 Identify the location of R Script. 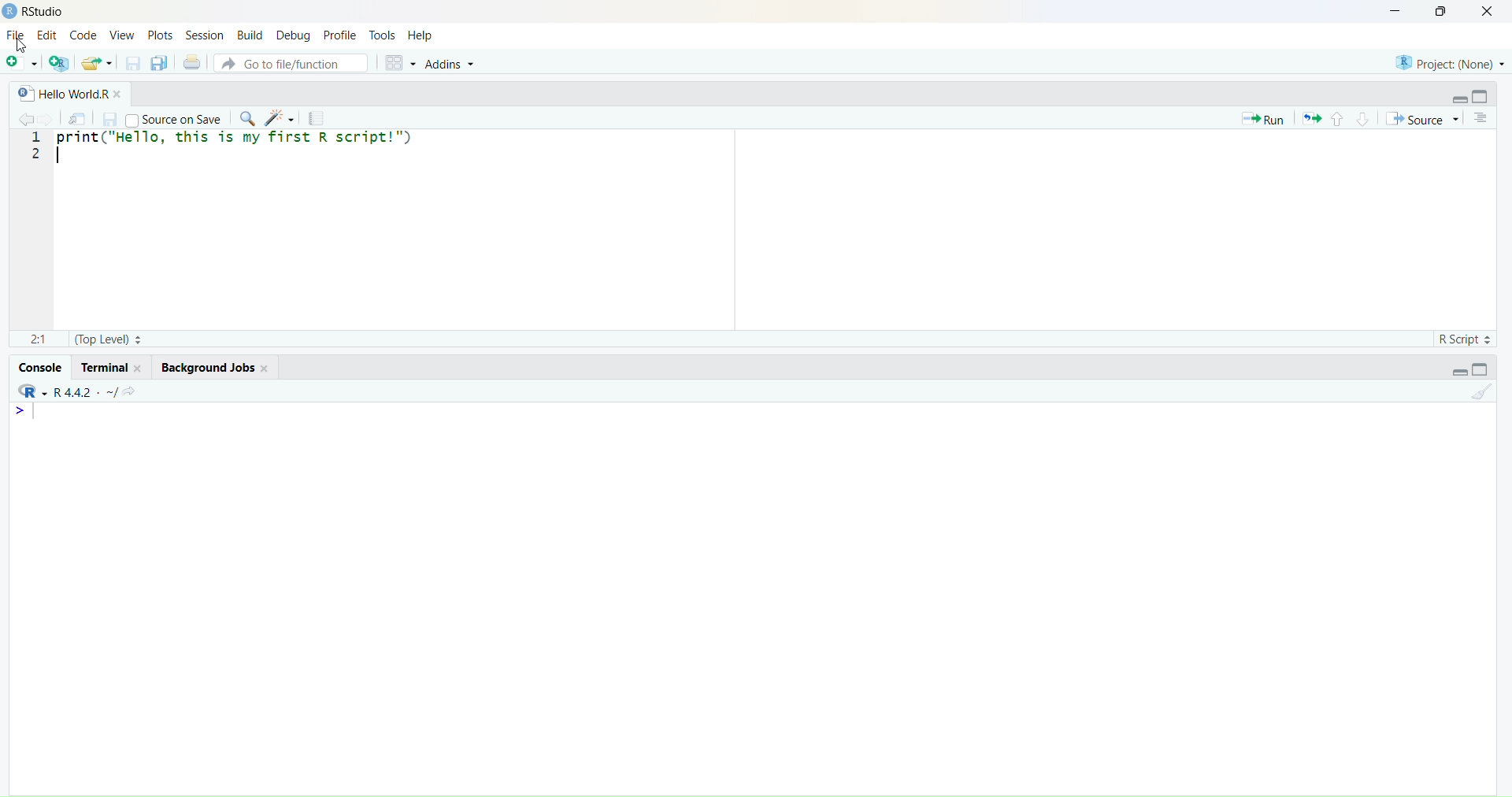
(1462, 337).